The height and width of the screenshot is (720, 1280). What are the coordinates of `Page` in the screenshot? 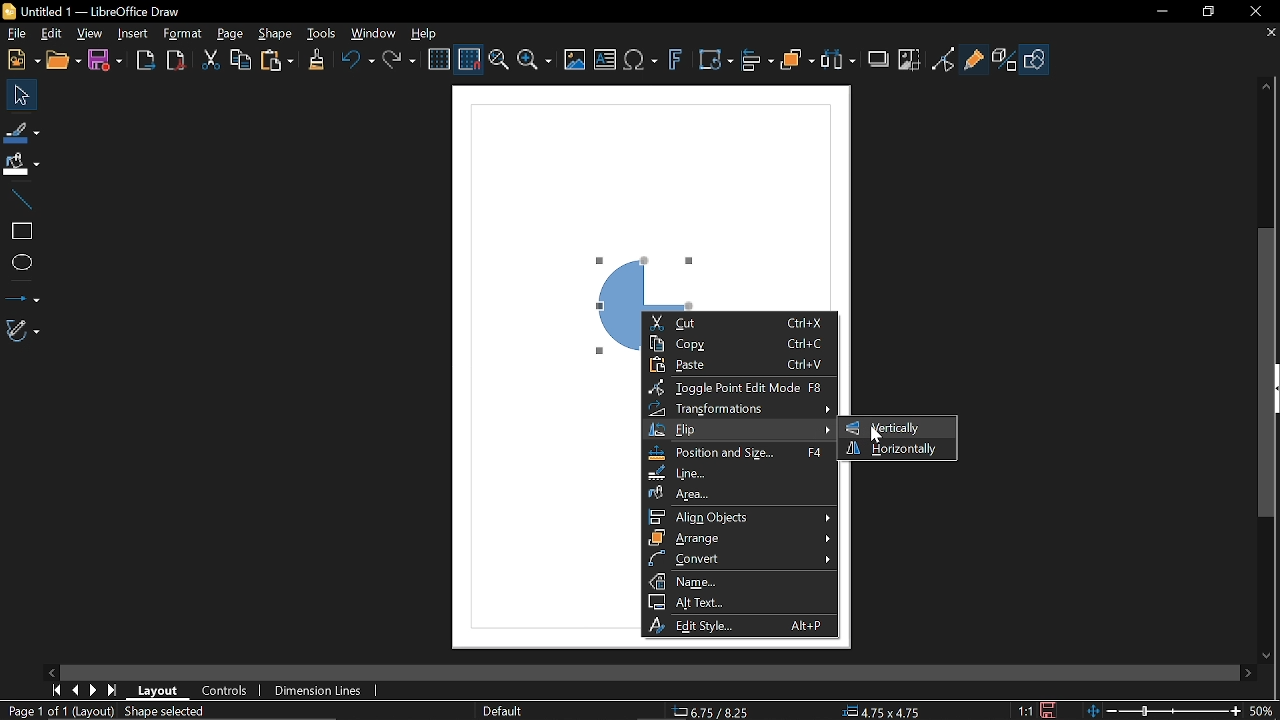 It's located at (230, 35).